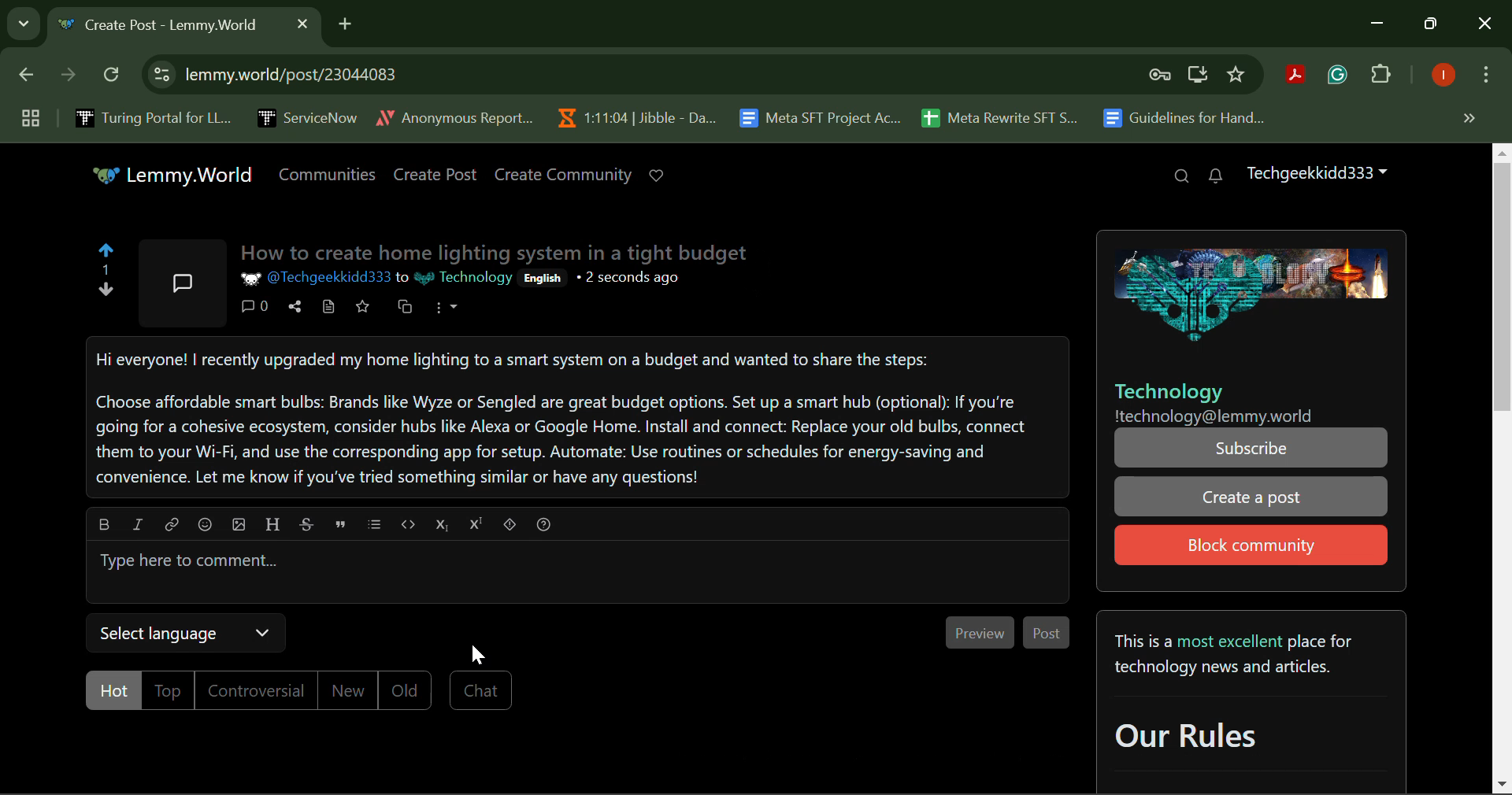 The height and width of the screenshot is (795, 1512). What do you see at coordinates (501, 254) in the screenshot?
I see `Post Title` at bounding box center [501, 254].